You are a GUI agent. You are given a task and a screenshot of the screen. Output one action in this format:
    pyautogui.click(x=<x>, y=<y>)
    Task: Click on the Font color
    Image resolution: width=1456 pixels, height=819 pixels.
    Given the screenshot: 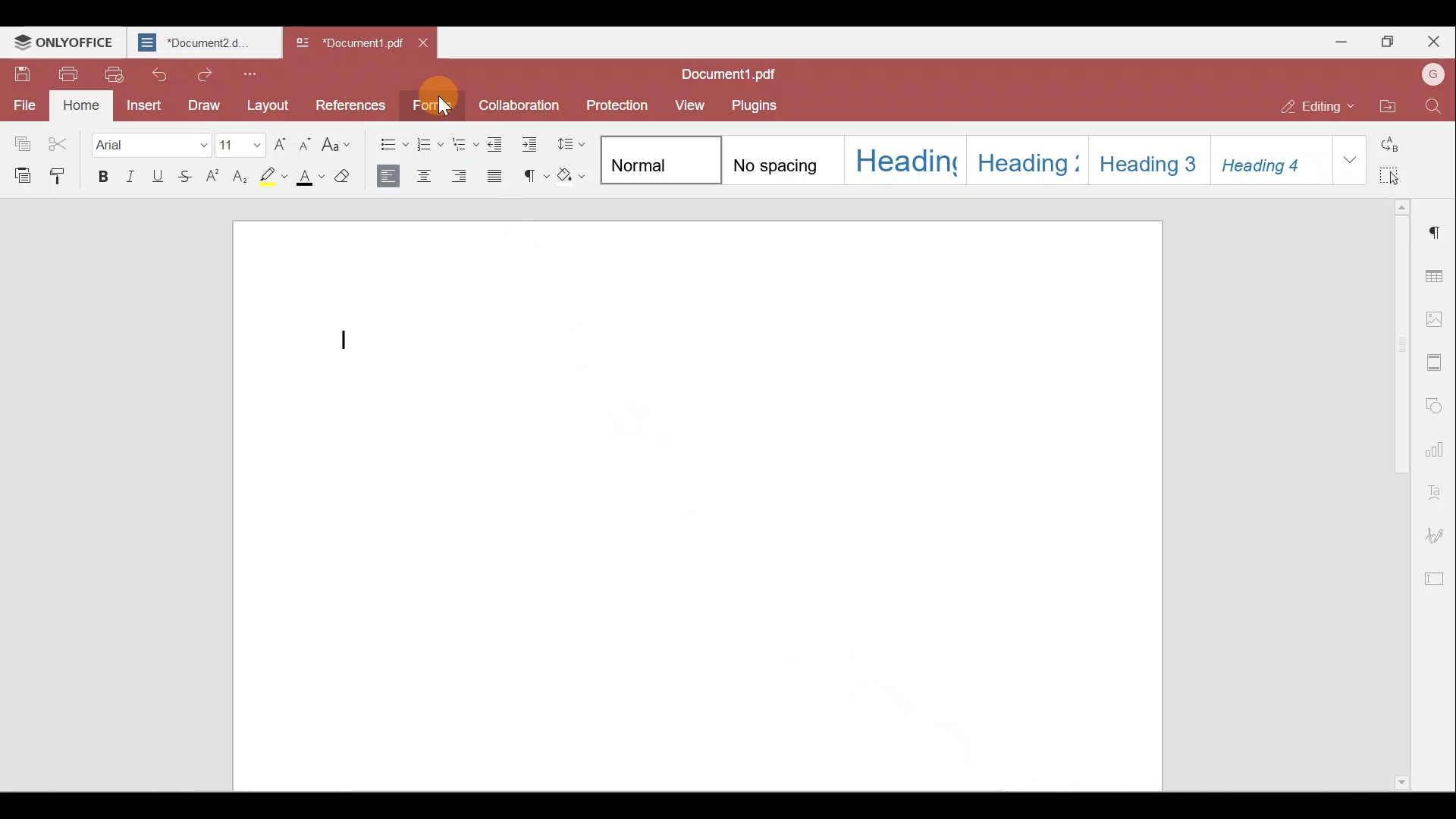 What is the action you would take?
    pyautogui.click(x=311, y=179)
    